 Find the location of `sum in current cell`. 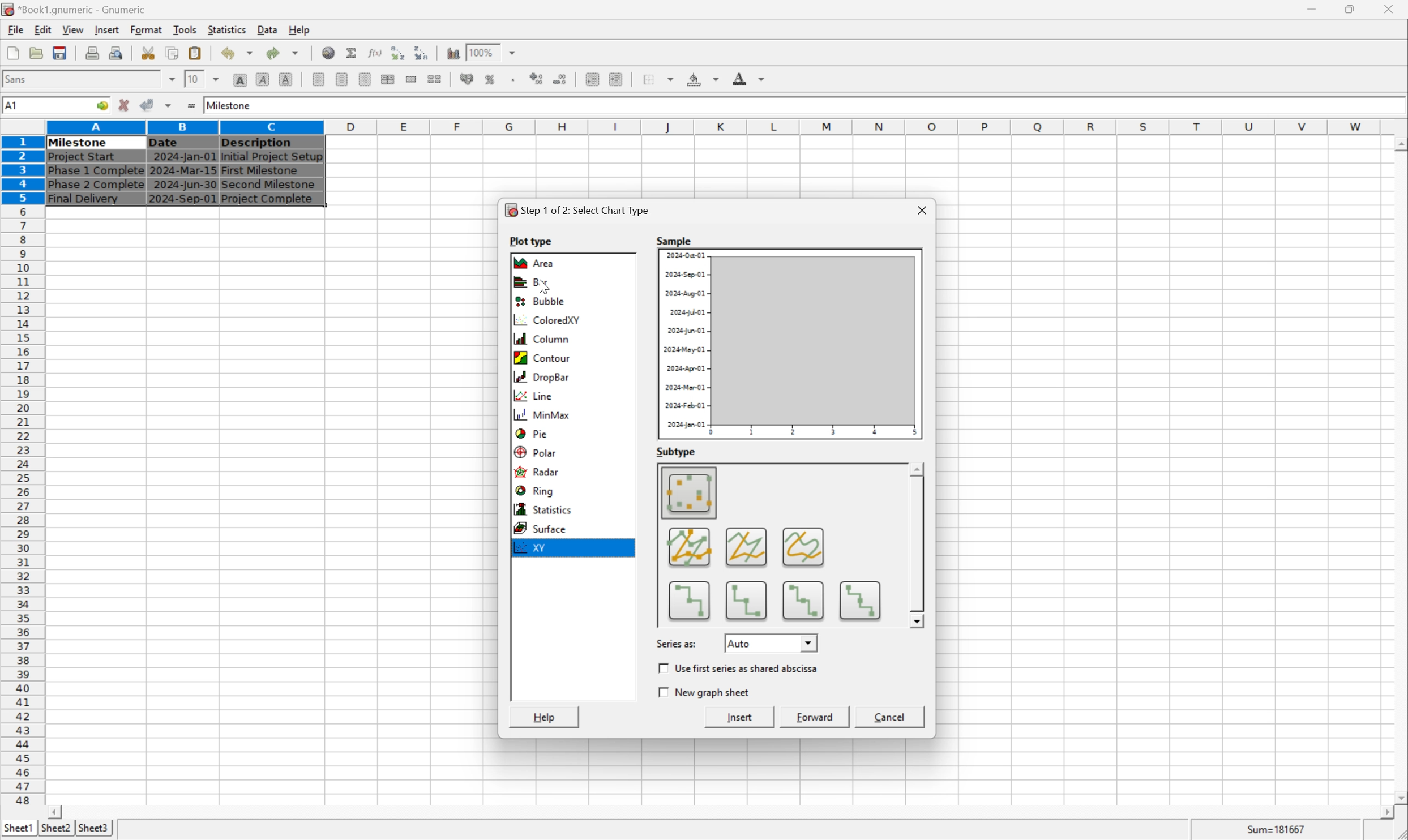

sum in current cell is located at coordinates (353, 53).